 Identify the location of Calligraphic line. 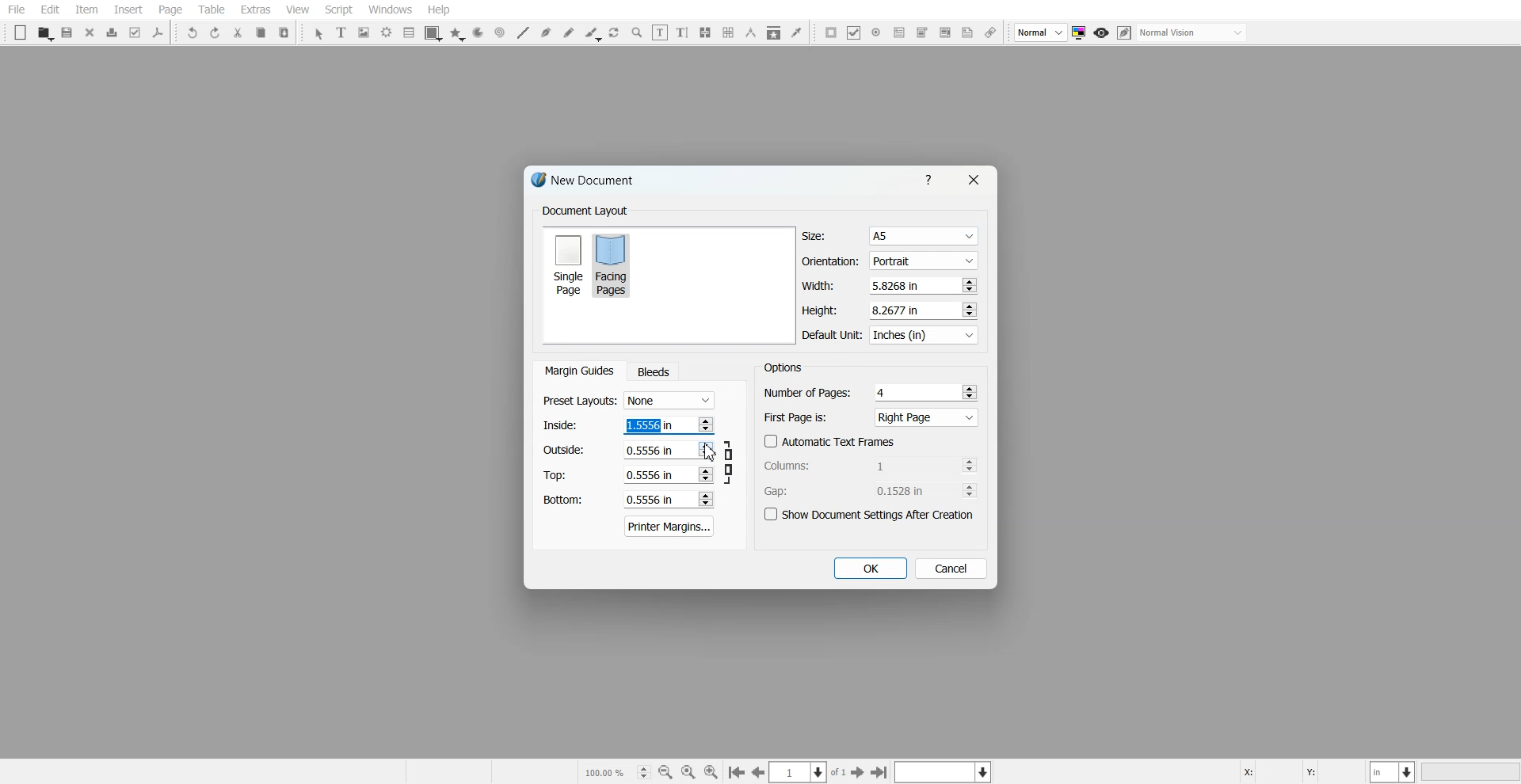
(593, 34).